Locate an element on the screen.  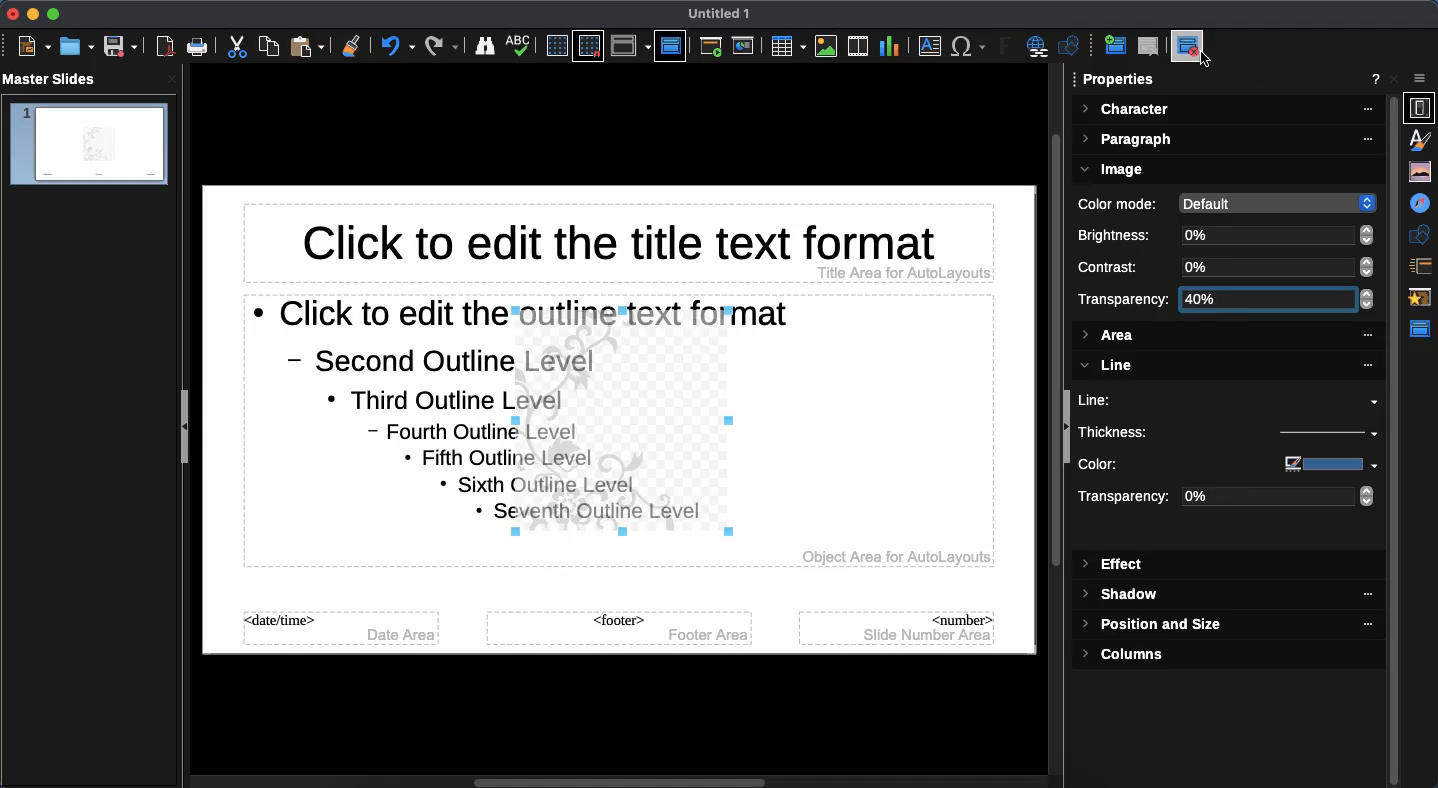
Paragraph is located at coordinates (1229, 141).